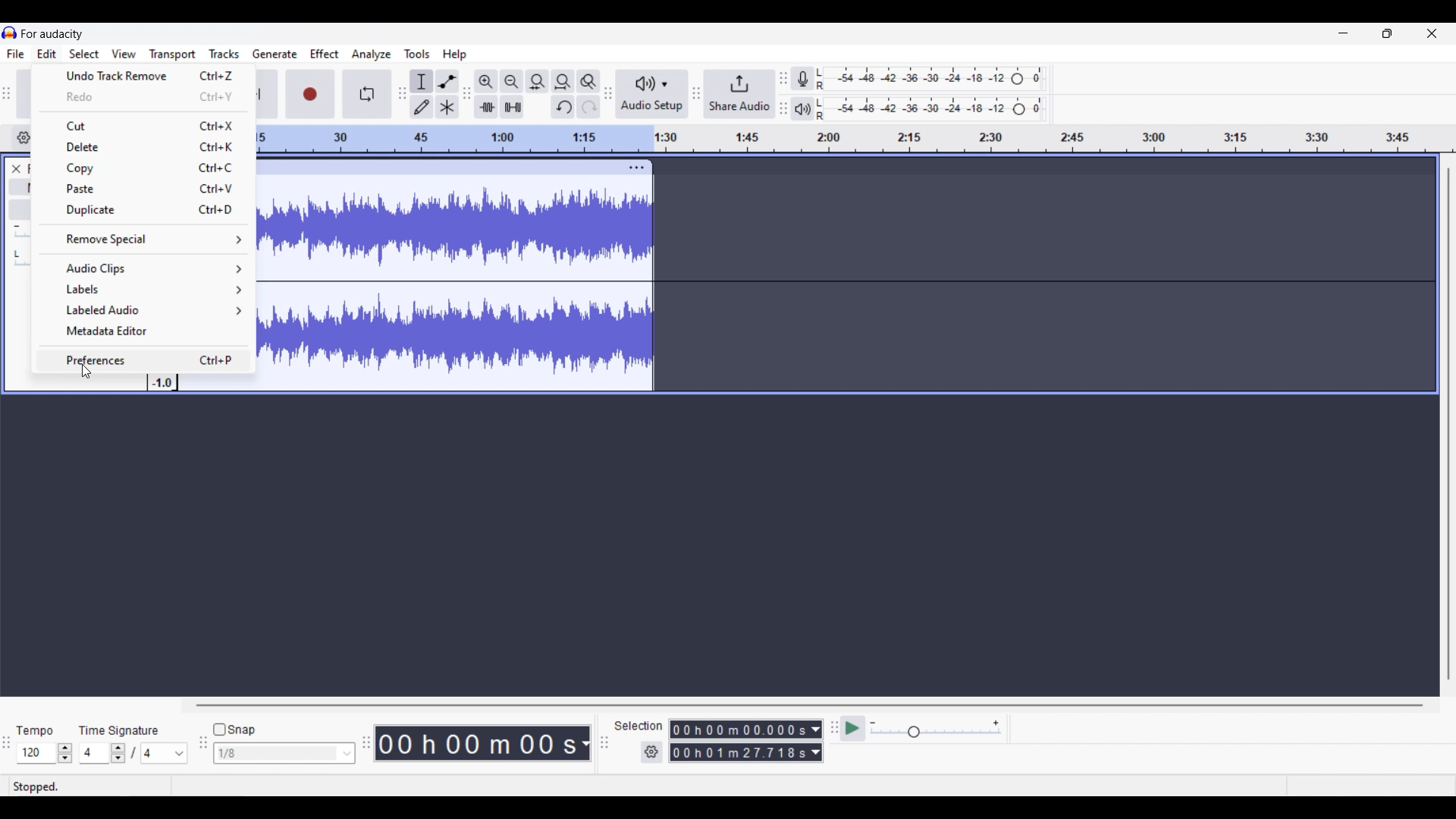  Describe the element at coordinates (454, 287) in the screenshot. I see `track waveform` at that location.